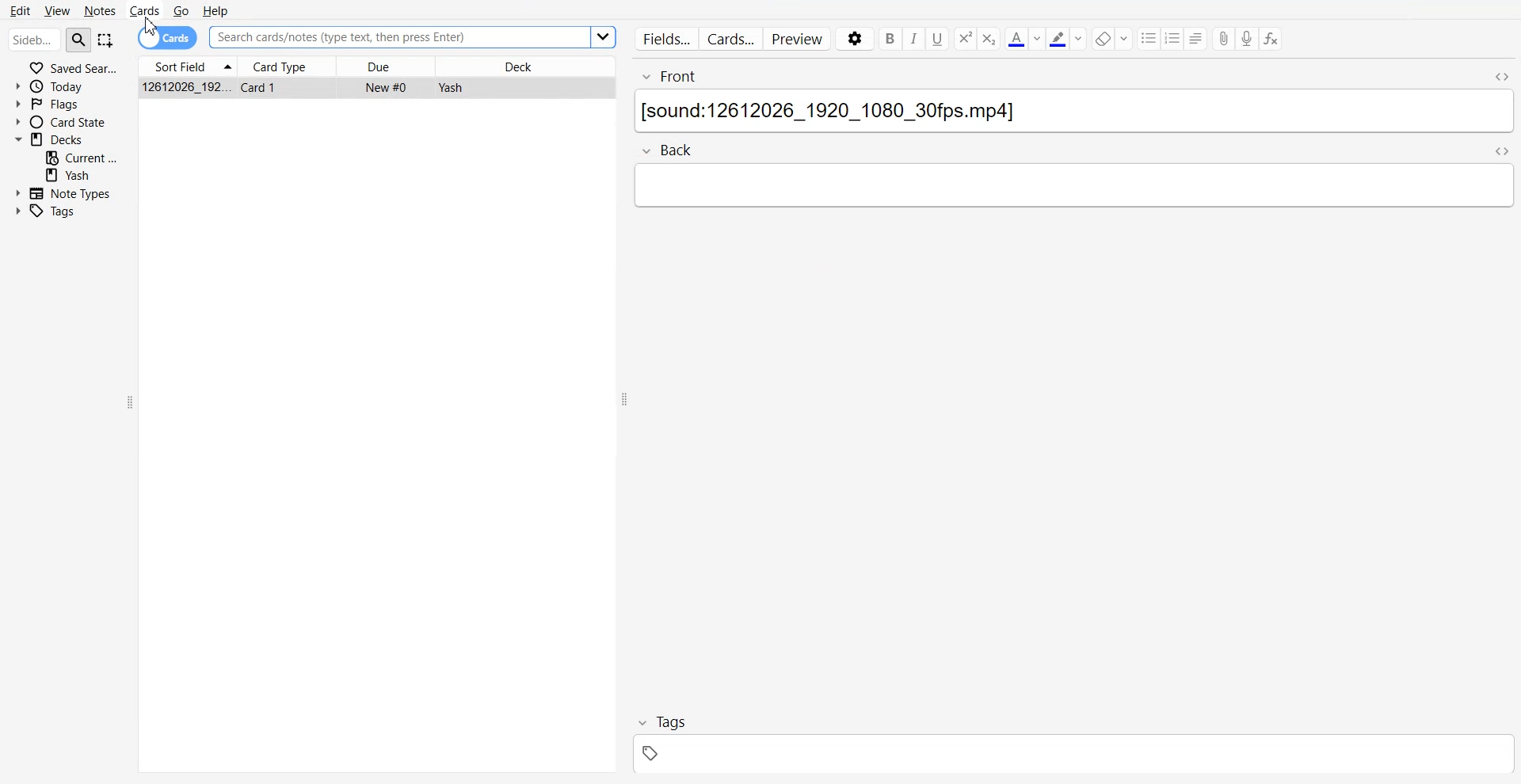  Describe the element at coordinates (527, 66) in the screenshot. I see `Deck` at that location.